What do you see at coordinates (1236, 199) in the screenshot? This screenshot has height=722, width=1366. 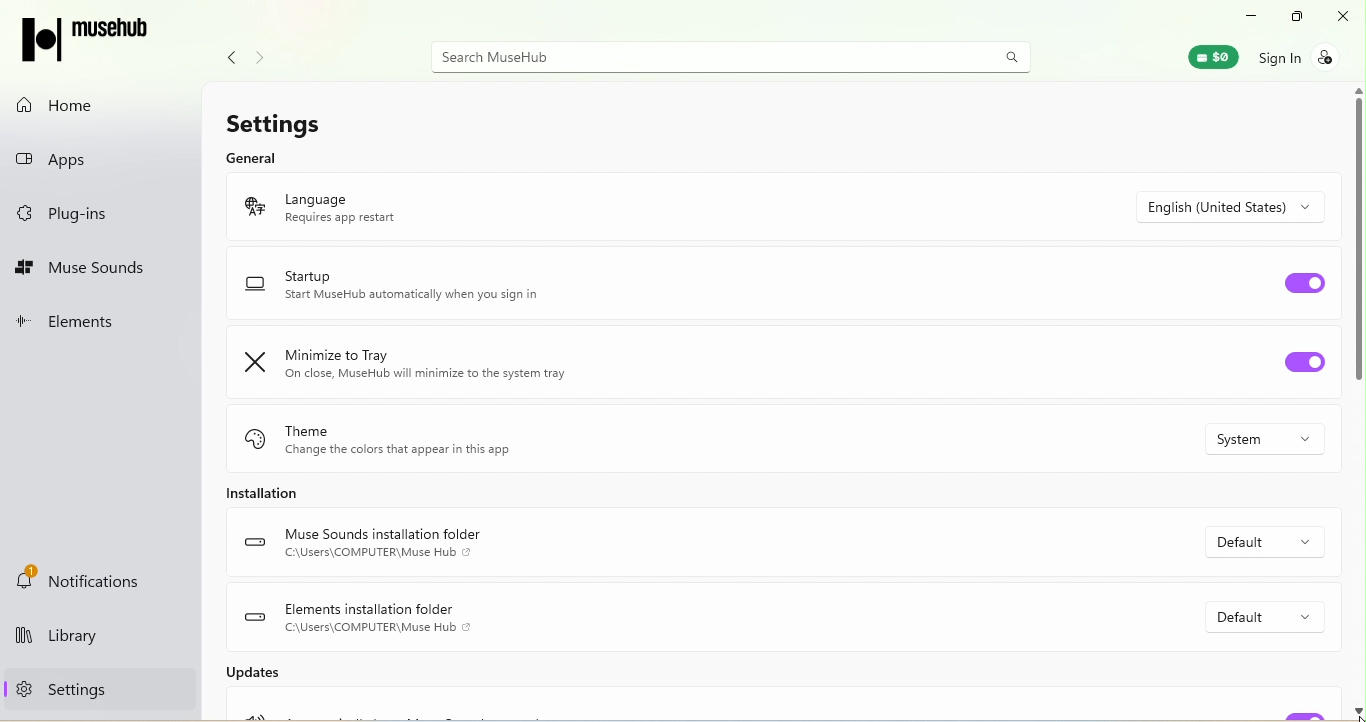 I see `Drop down menu` at bounding box center [1236, 199].